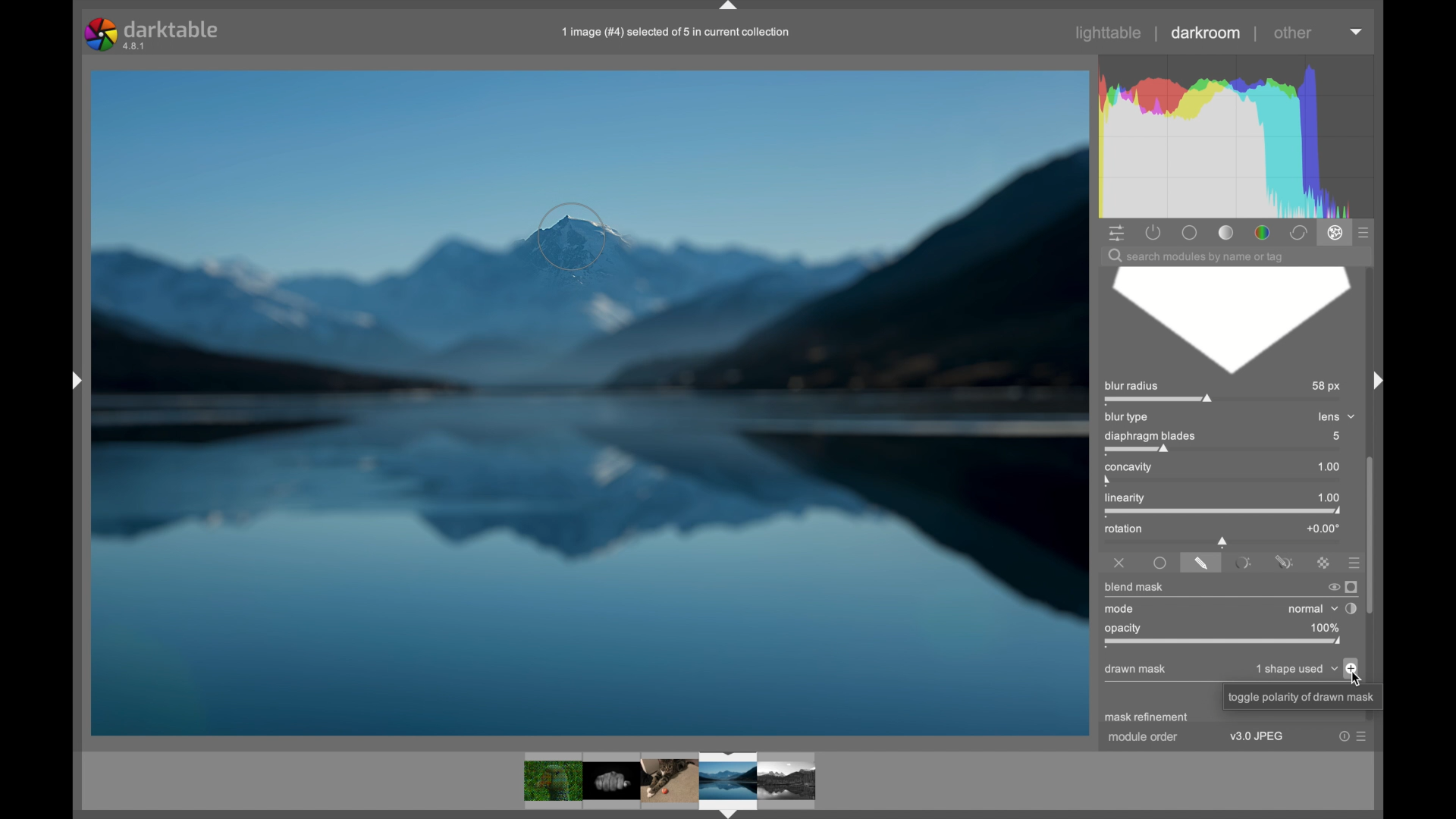 Image resolution: width=1456 pixels, height=819 pixels. I want to click on 1 image (#4) selected of 5 in current collection, so click(676, 30).